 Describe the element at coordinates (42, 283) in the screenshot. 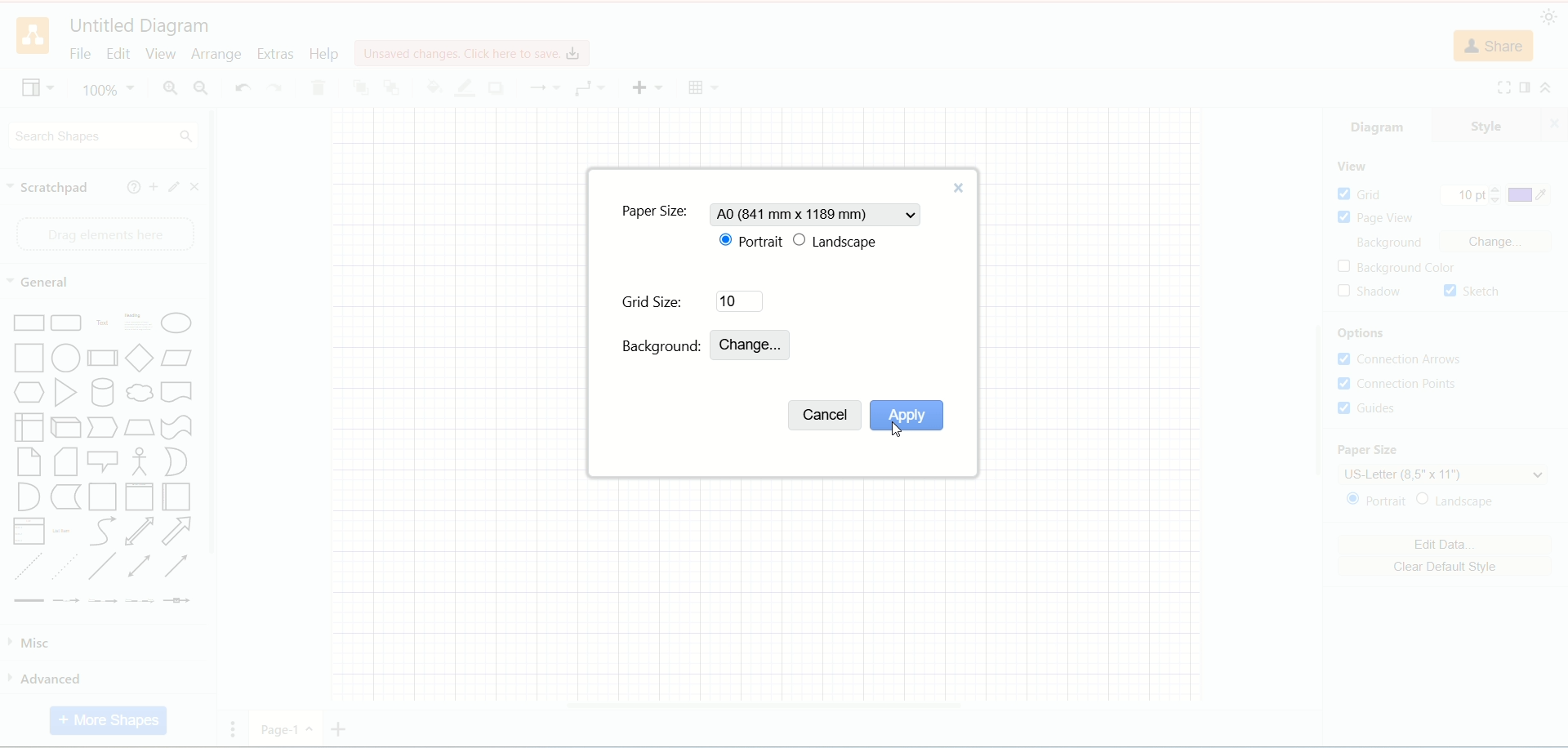

I see `general` at that location.